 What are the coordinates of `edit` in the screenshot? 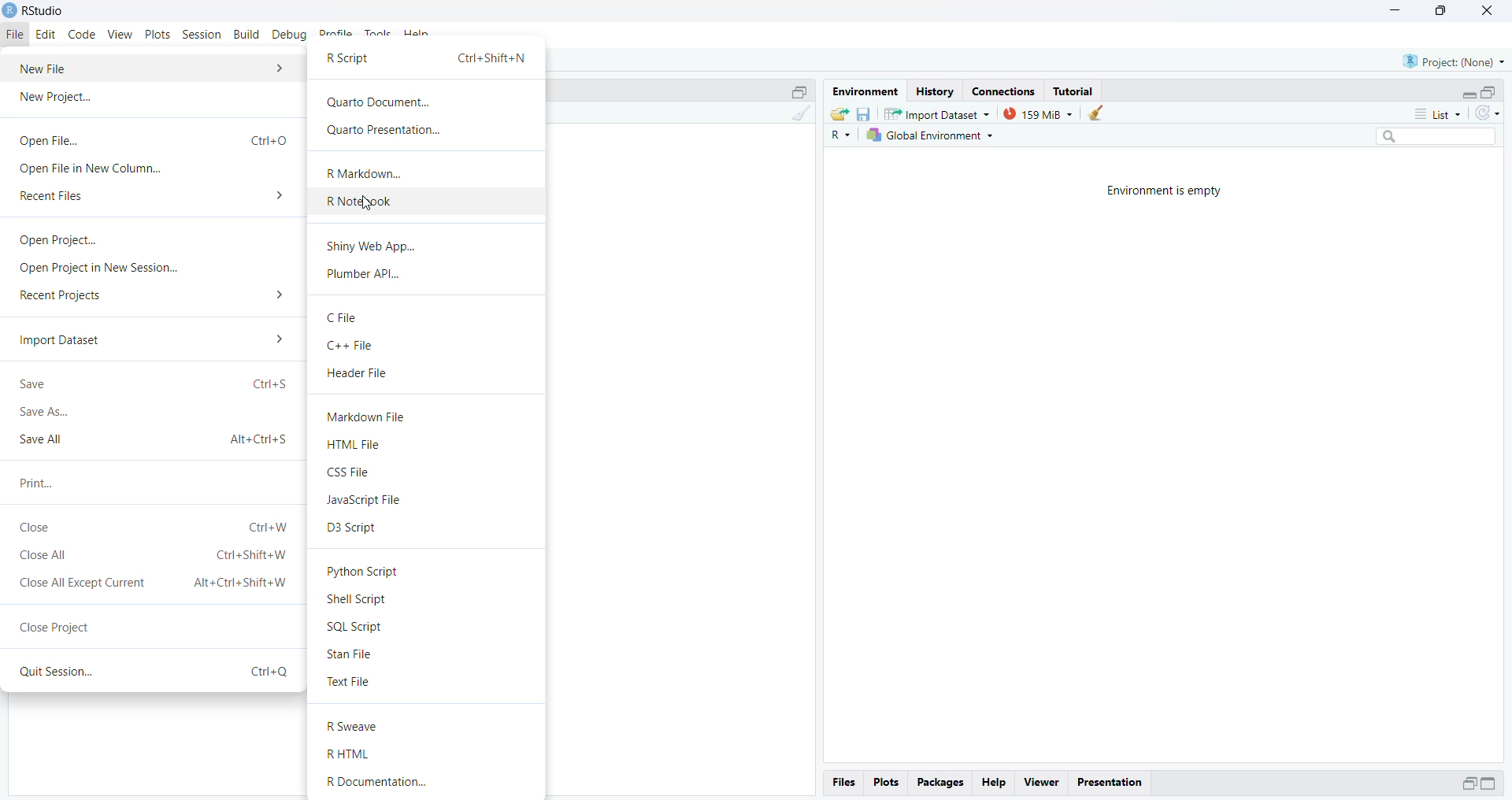 It's located at (49, 35).